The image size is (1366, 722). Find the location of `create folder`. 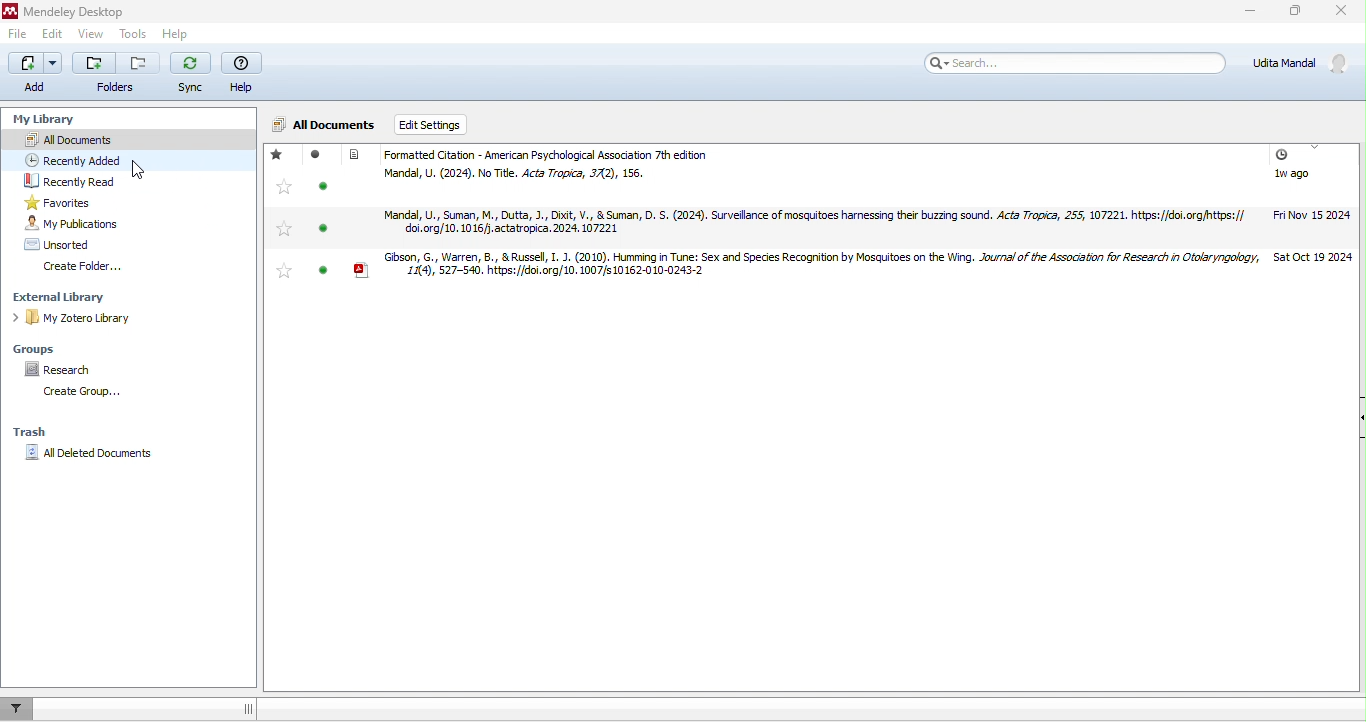

create folder is located at coordinates (98, 268).